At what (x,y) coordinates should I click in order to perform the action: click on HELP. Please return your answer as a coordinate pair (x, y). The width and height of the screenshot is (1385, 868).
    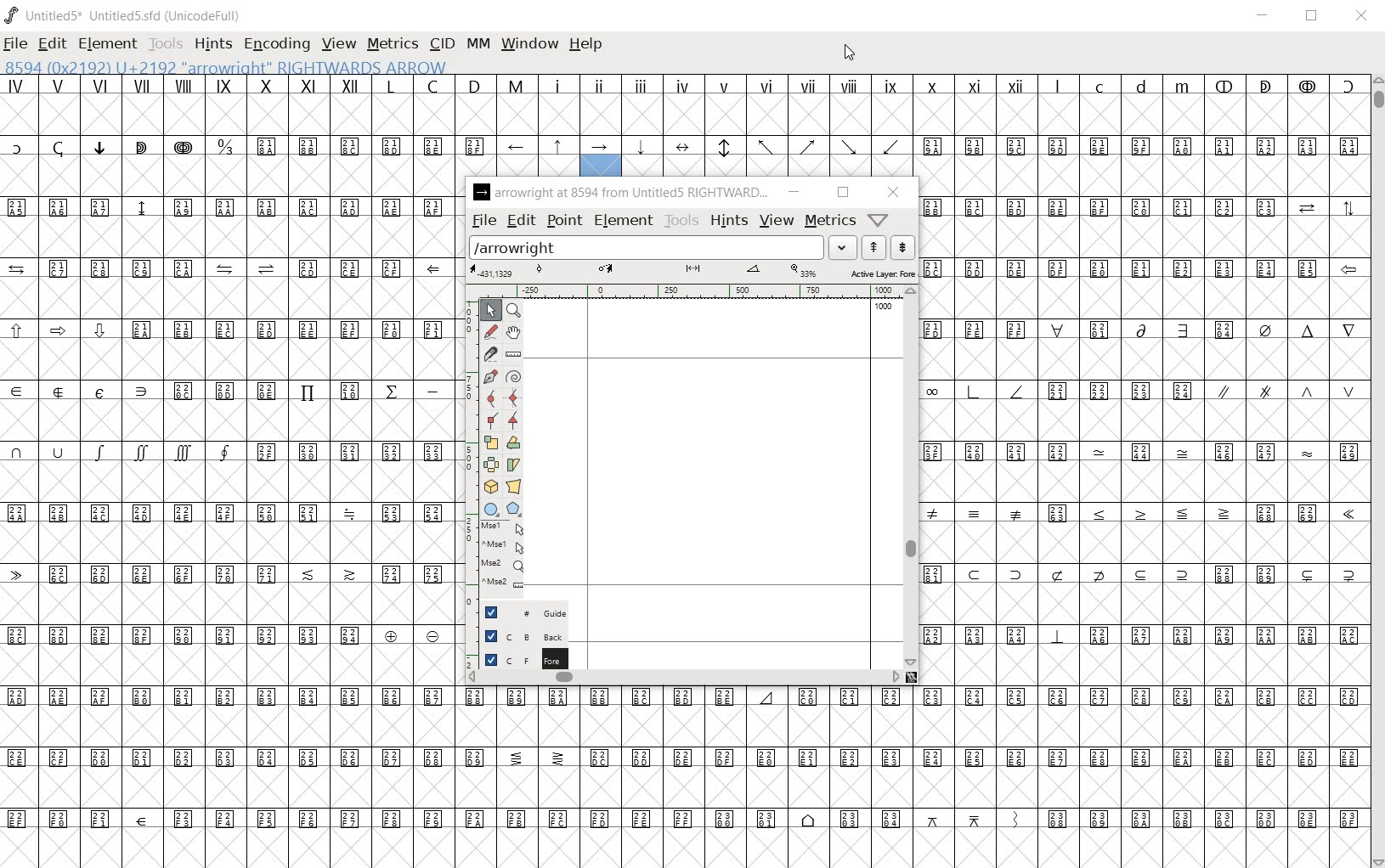
    Looking at the image, I should click on (590, 45).